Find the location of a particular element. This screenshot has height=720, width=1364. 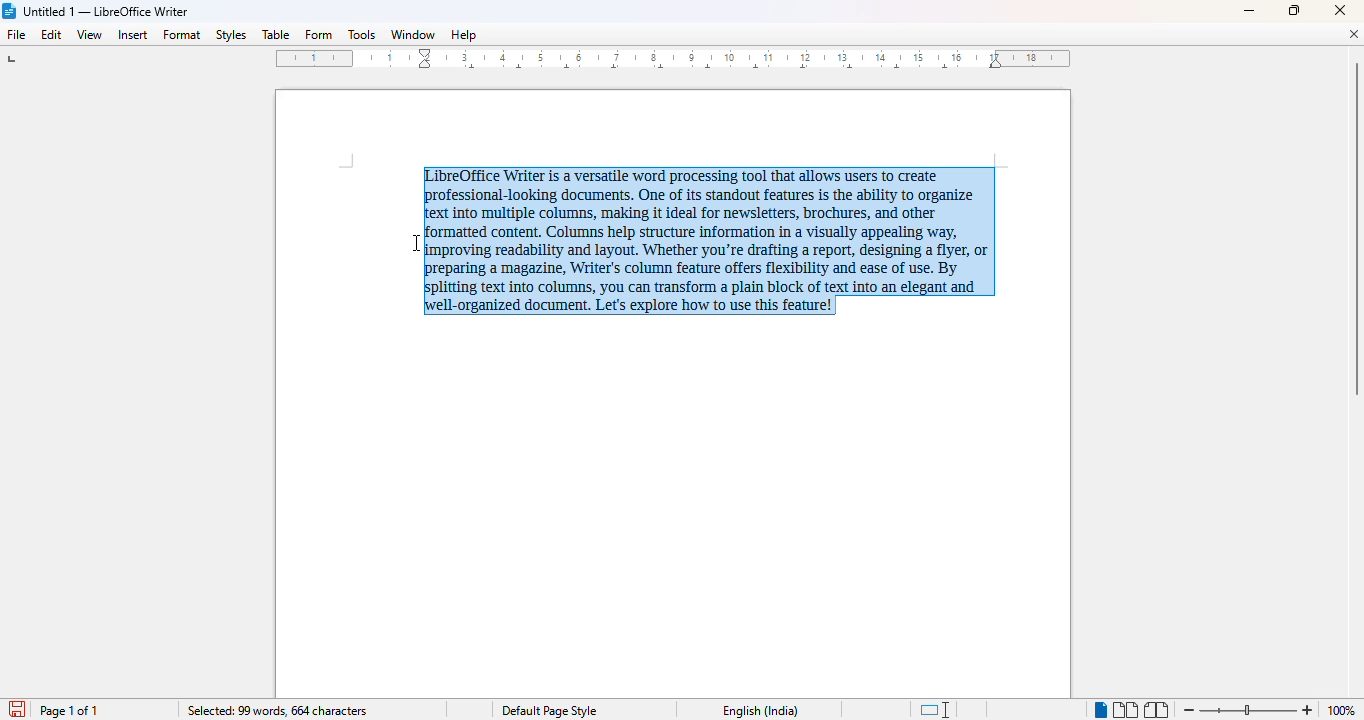

save document is located at coordinates (17, 708).